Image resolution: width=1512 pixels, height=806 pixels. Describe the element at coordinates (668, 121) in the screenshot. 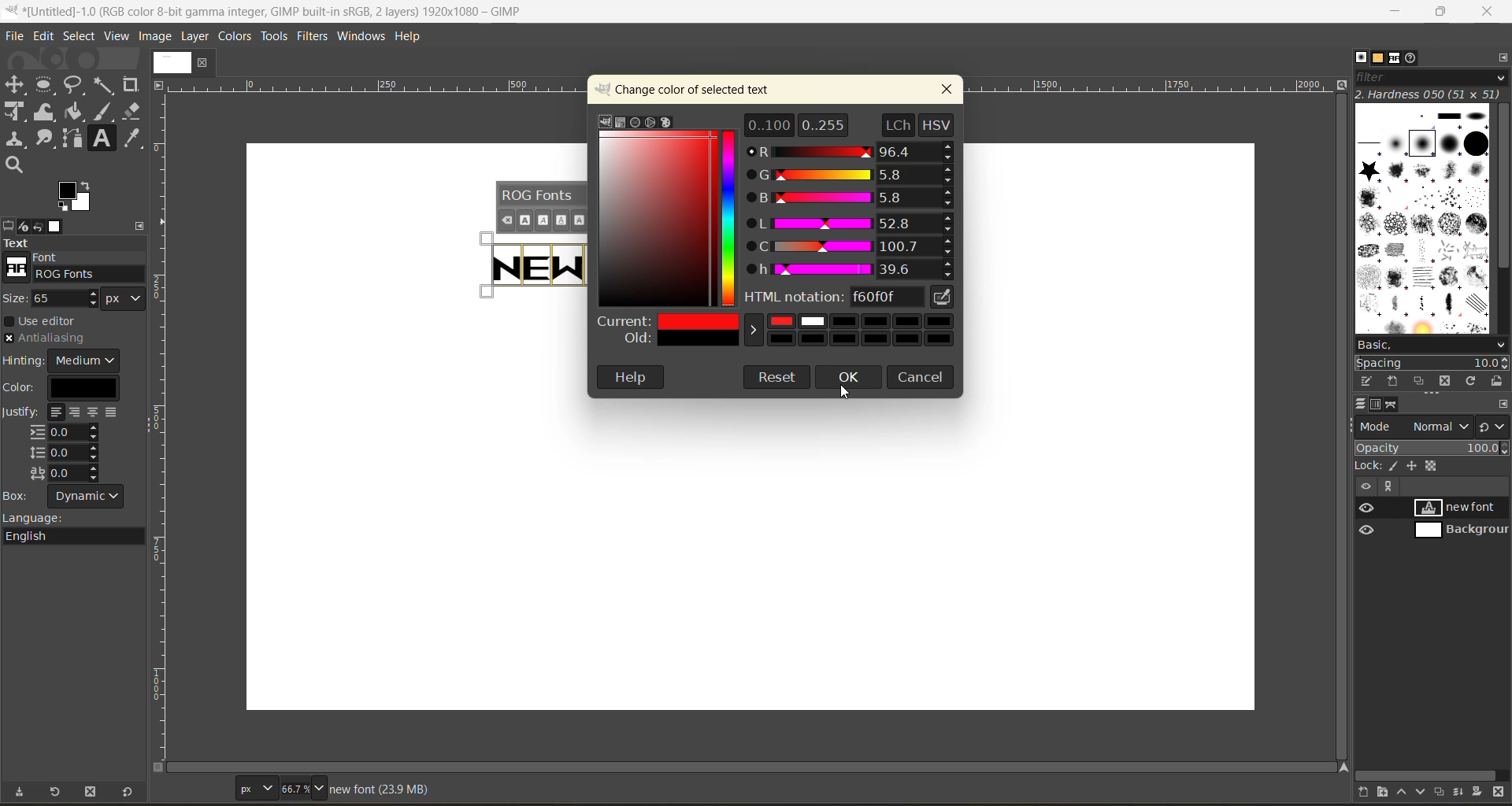

I see `palette` at that location.